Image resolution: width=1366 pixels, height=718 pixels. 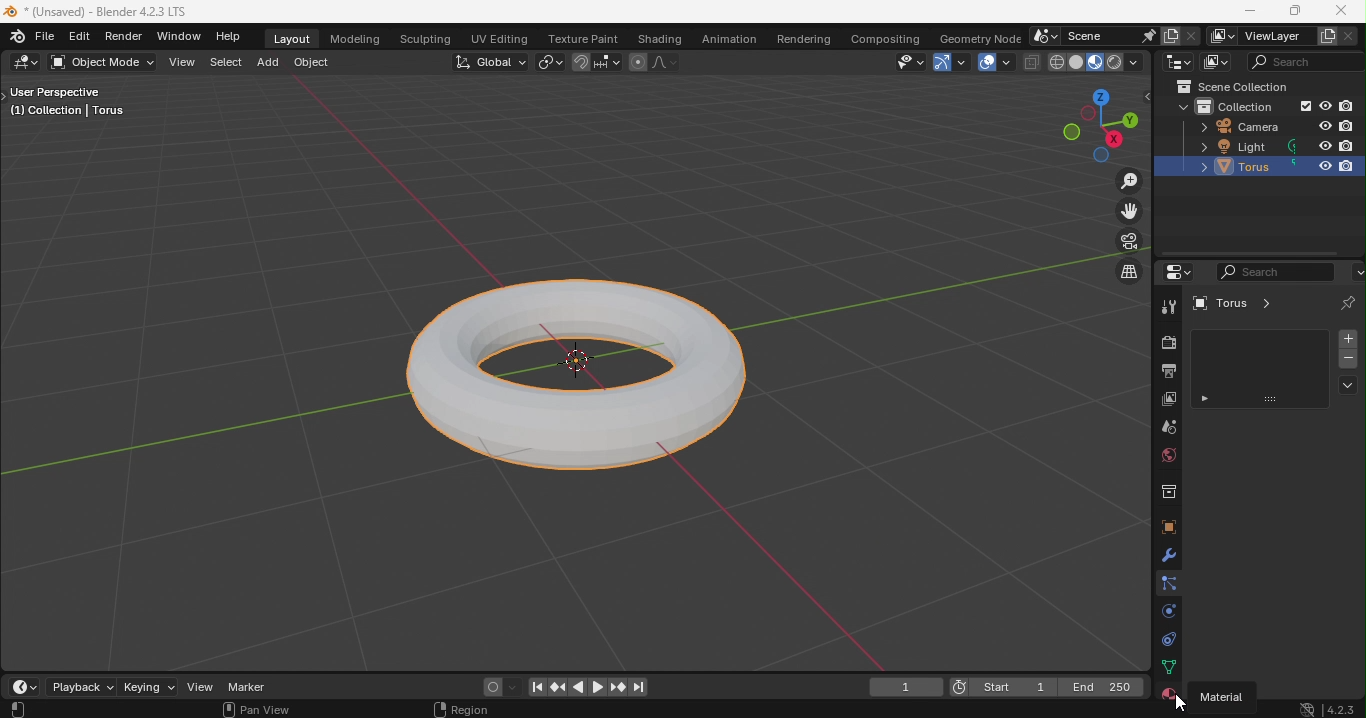 What do you see at coordinates (952, 63) in the screenshot?
I see `Show gizmo` at bounding box center [952, 63].